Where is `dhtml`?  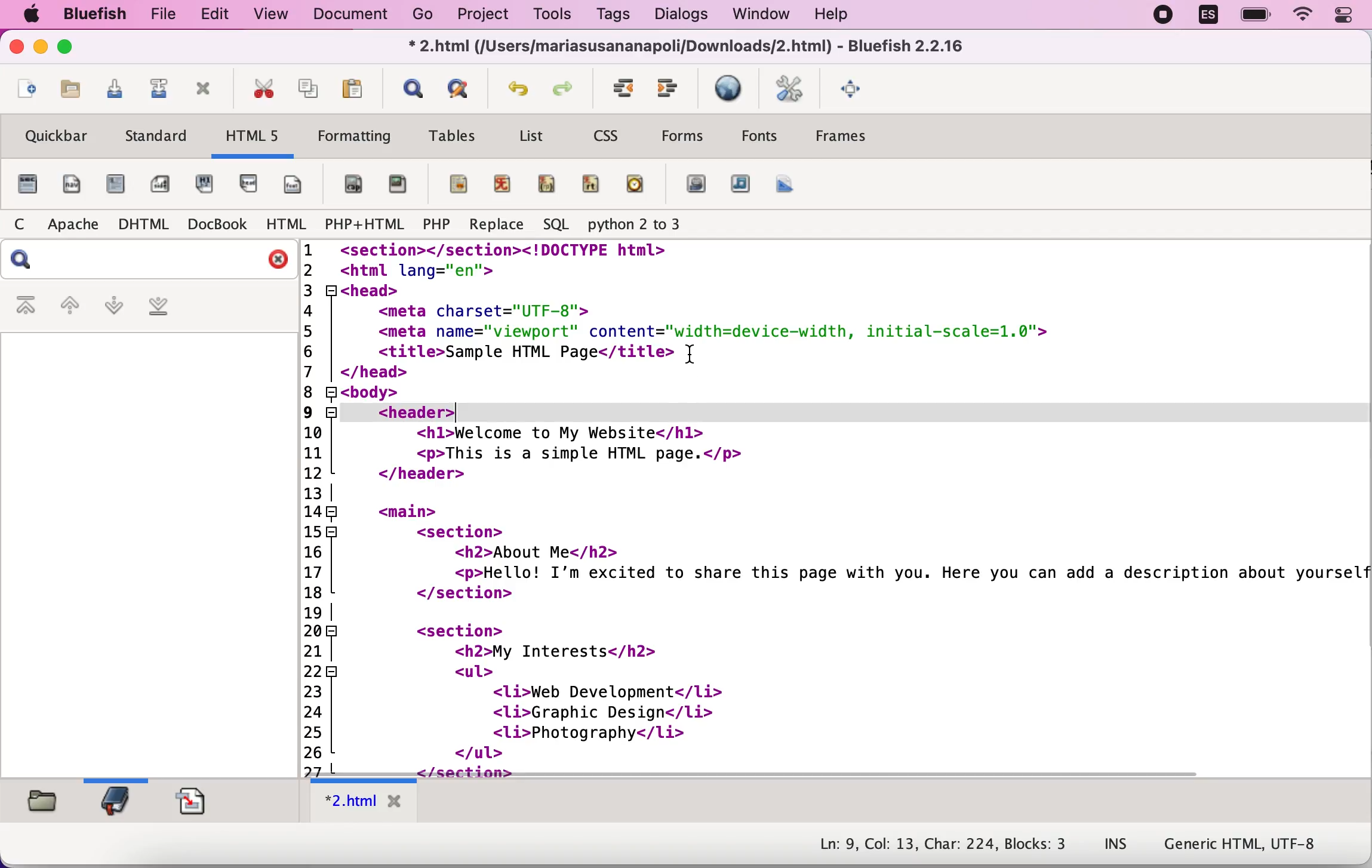 dhtml is located at coordinates (145, 226).